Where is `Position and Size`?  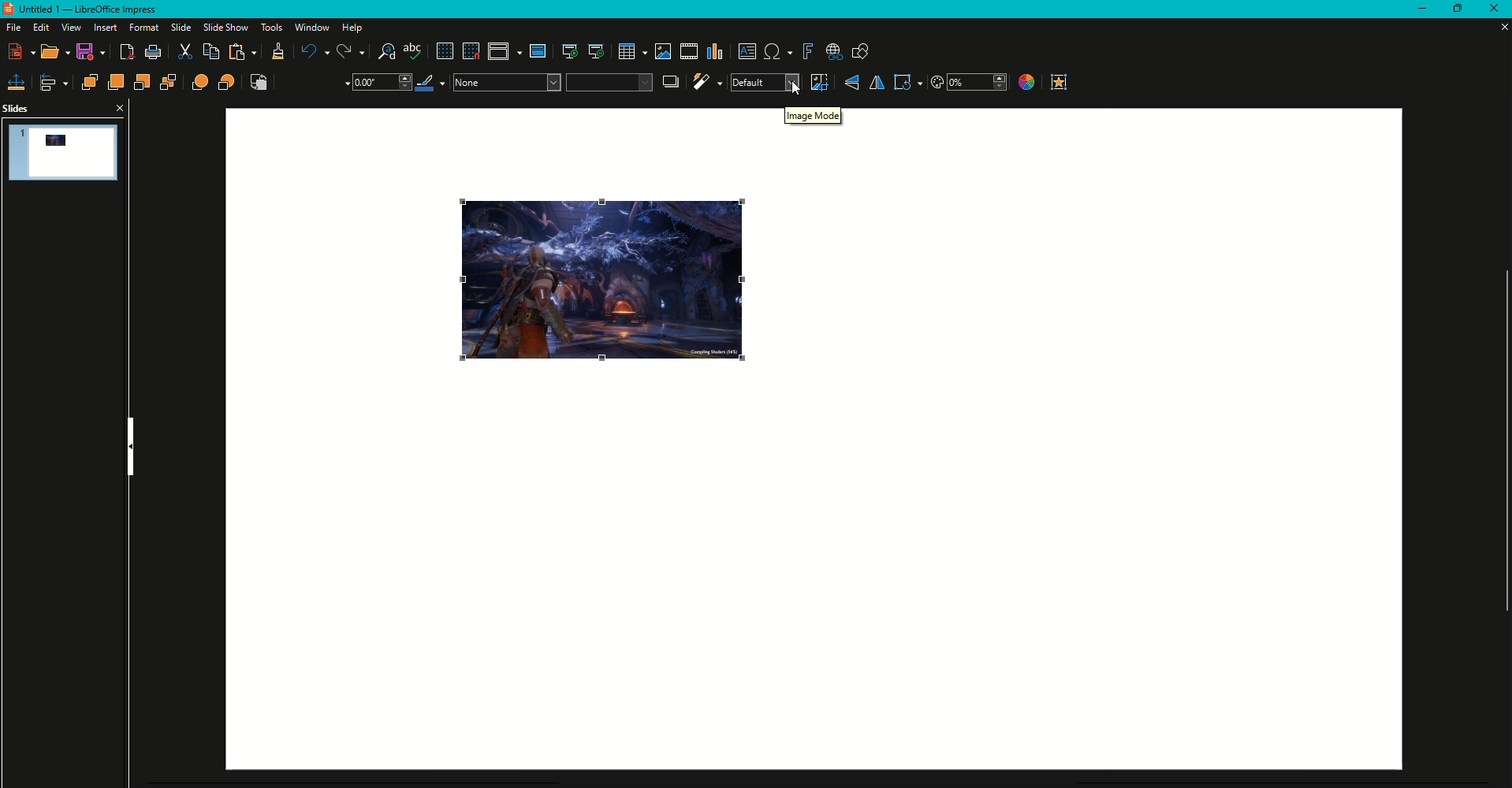
Position and Size is located at coordinates (17, 82).